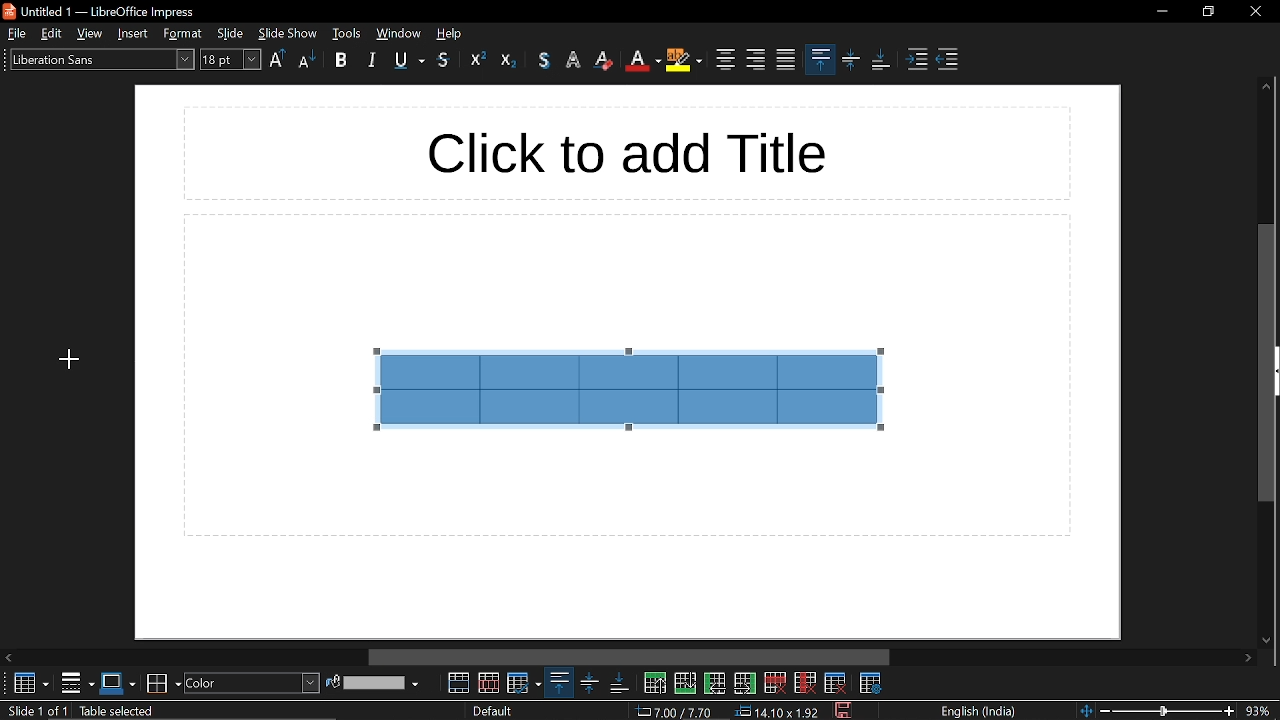 Image resolution: width=1280 pixels, height=720 pixels. What do you see at coordinates (574, 58) in the screenshot?
I see `highlight` at bounding box center [574, 58].